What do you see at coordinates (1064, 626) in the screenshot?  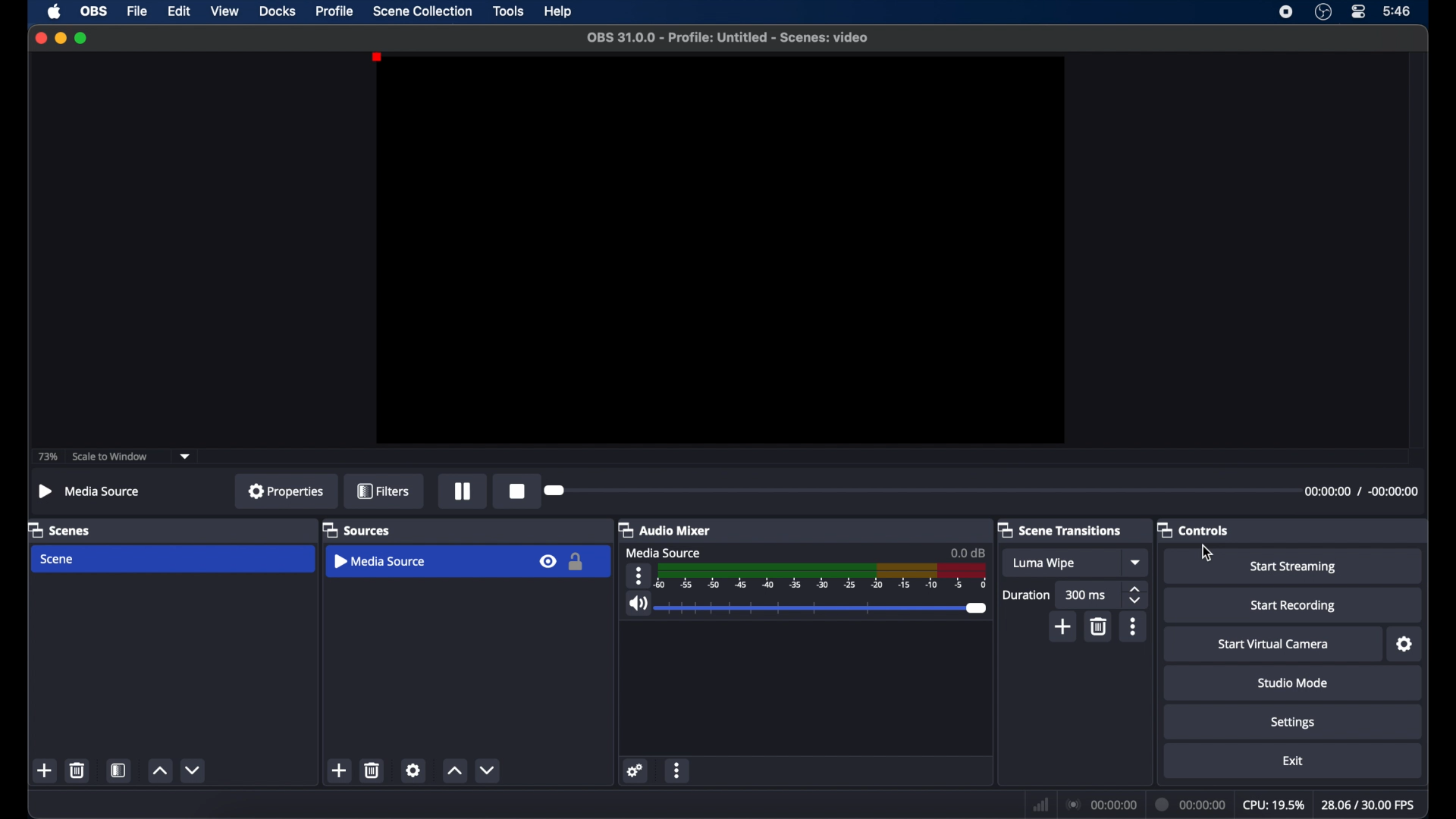 I see `add` at bounding box center [1064, 626].